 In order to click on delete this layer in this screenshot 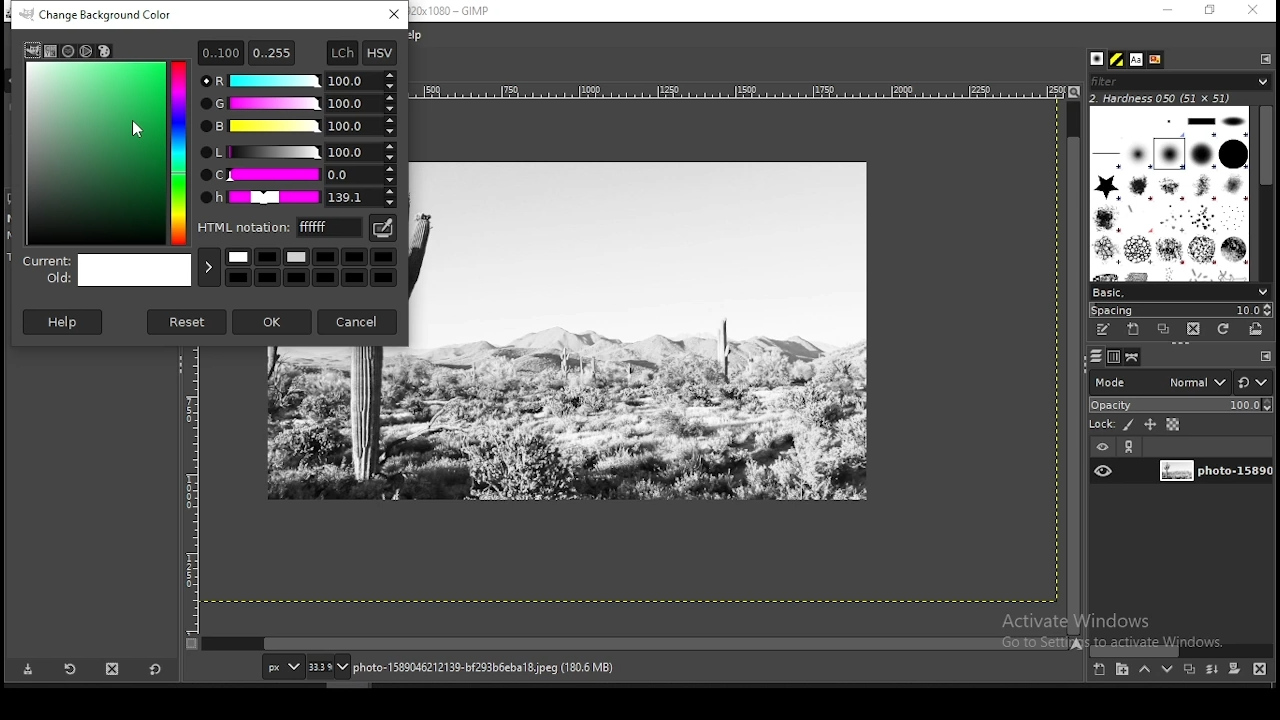, I will do `click(1260, 668)`.